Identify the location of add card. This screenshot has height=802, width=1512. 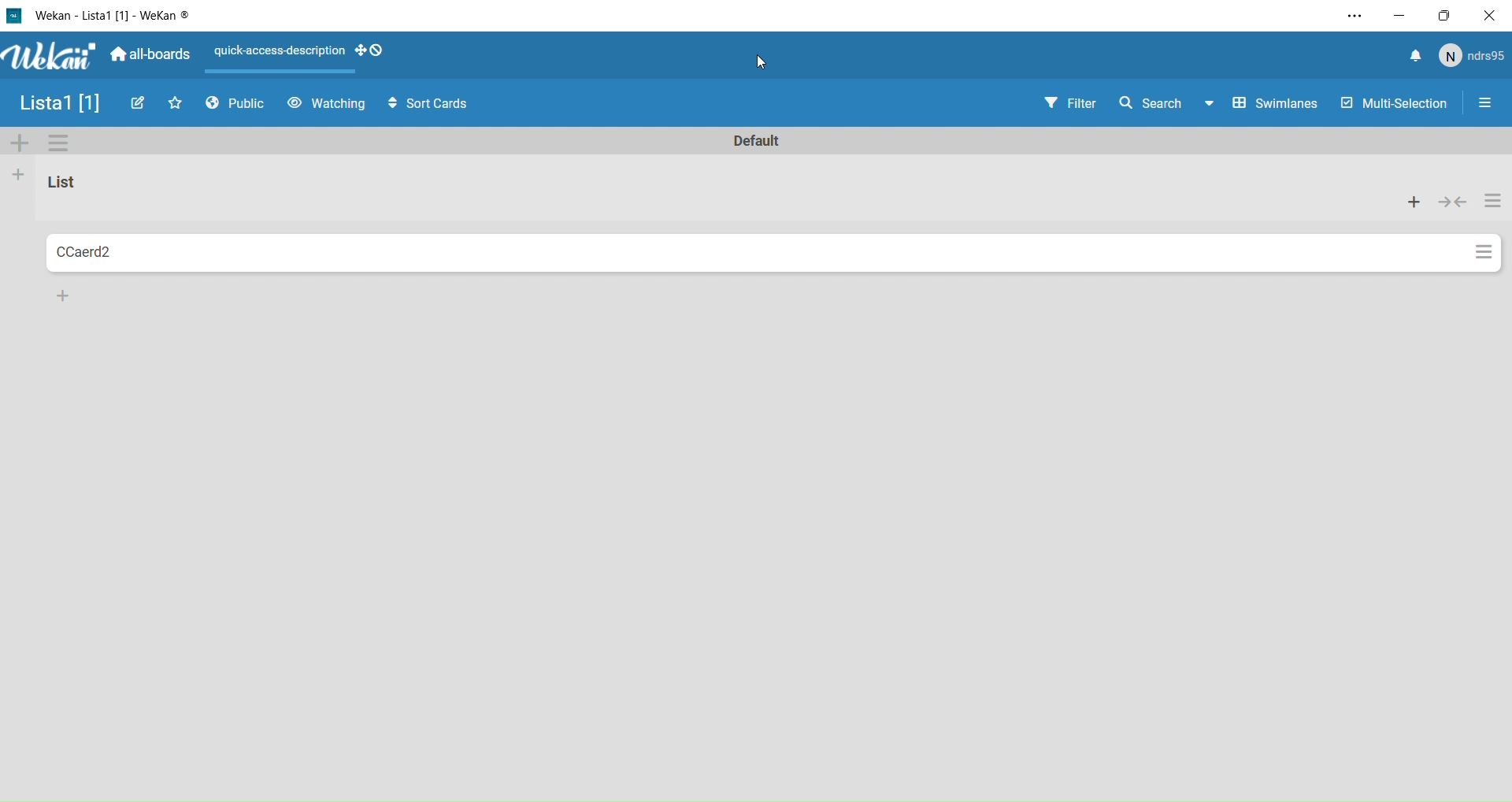
(63, 297).